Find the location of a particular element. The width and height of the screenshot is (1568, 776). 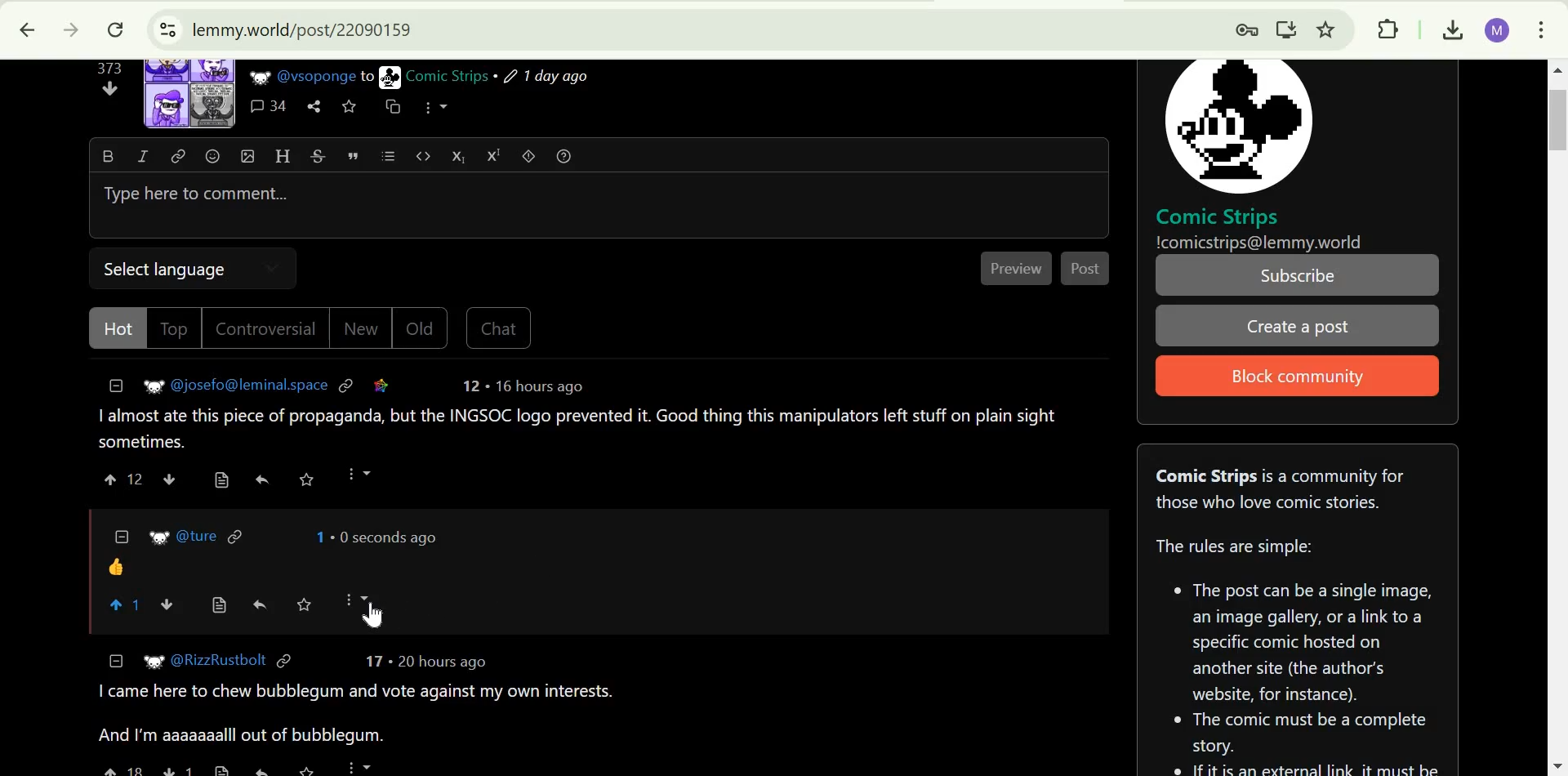

Preview is located at coordinates (1018, 269).